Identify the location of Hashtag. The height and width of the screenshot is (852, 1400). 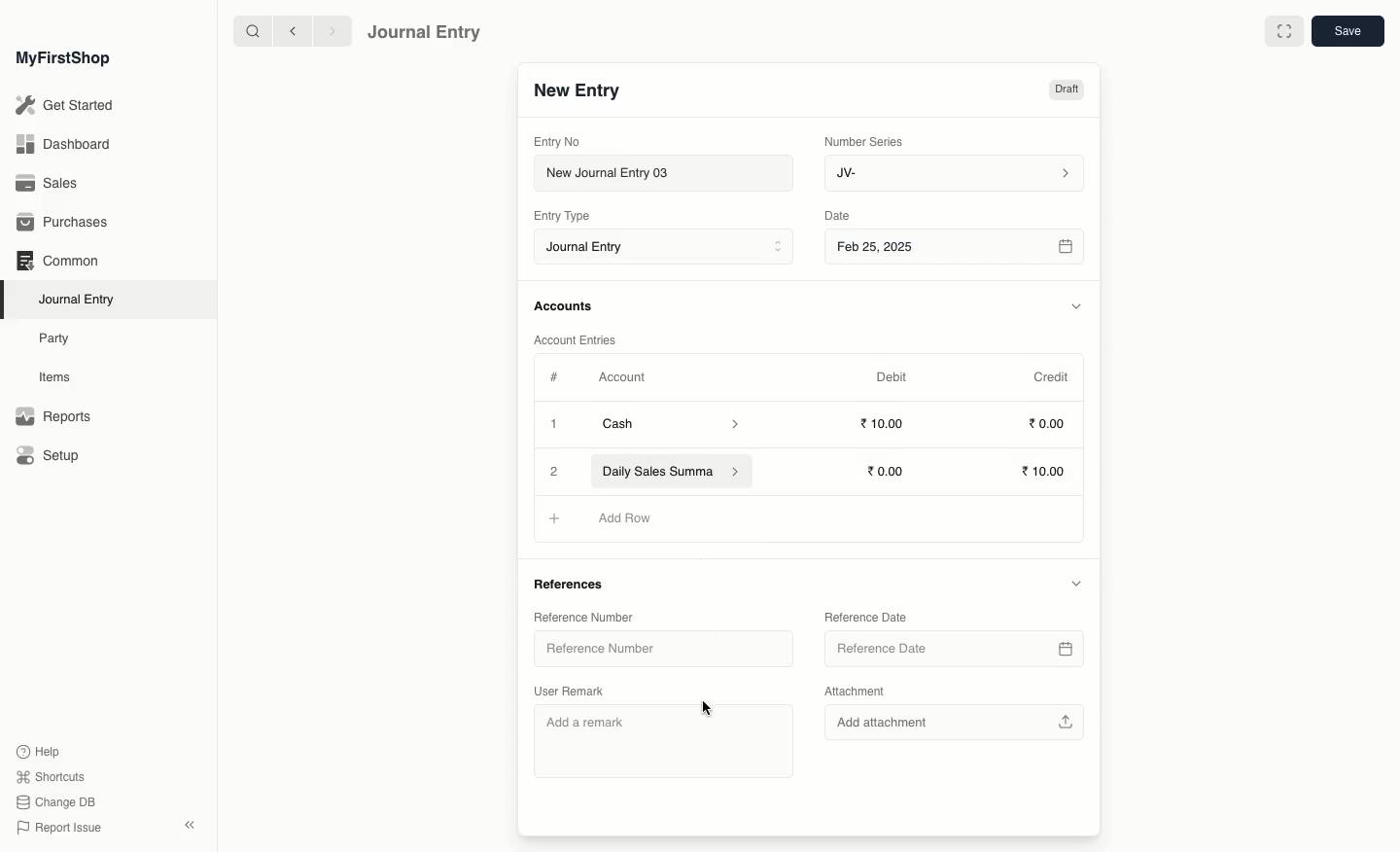
(558, 378).